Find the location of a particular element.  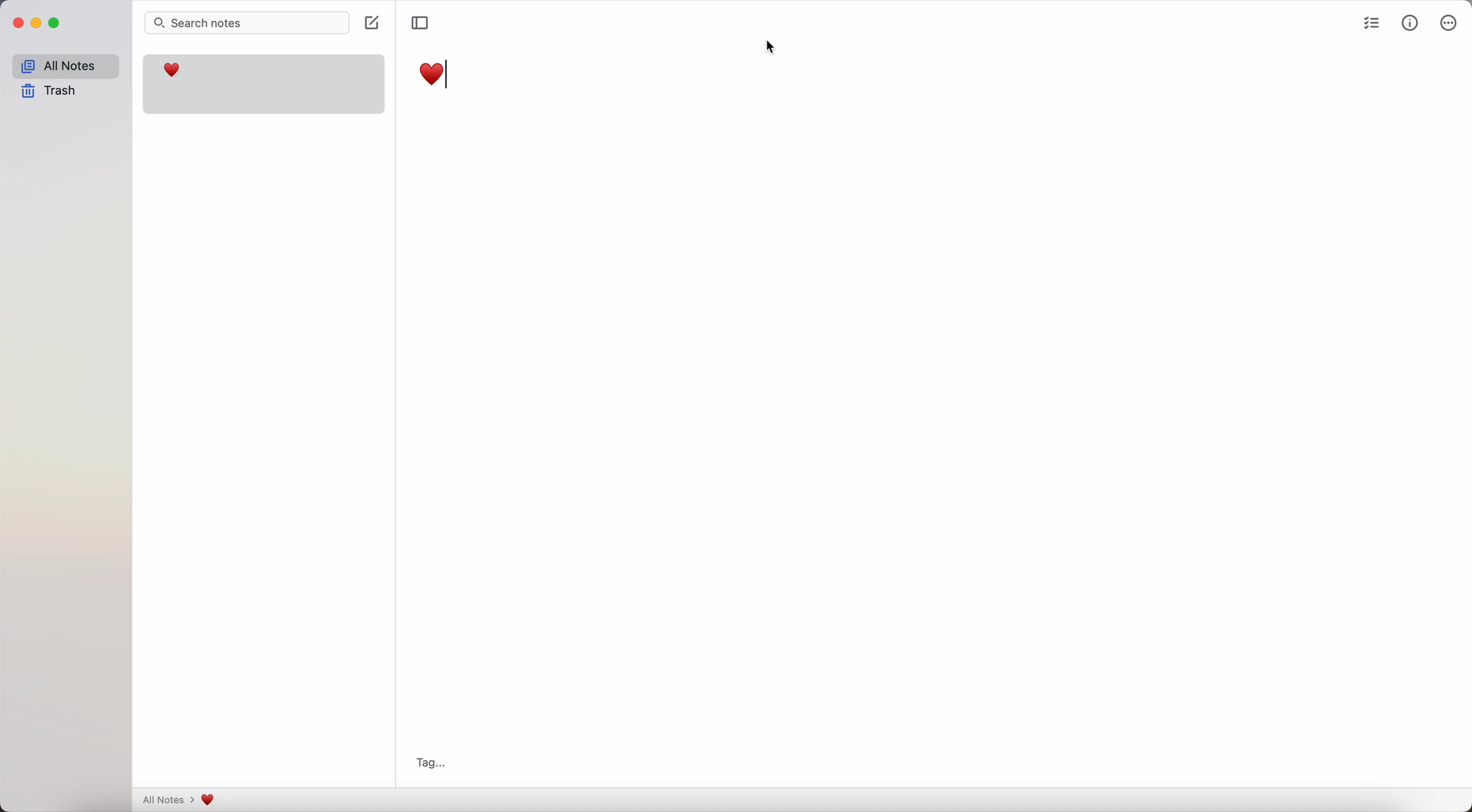

search bar is located at coordinates (246, 22).